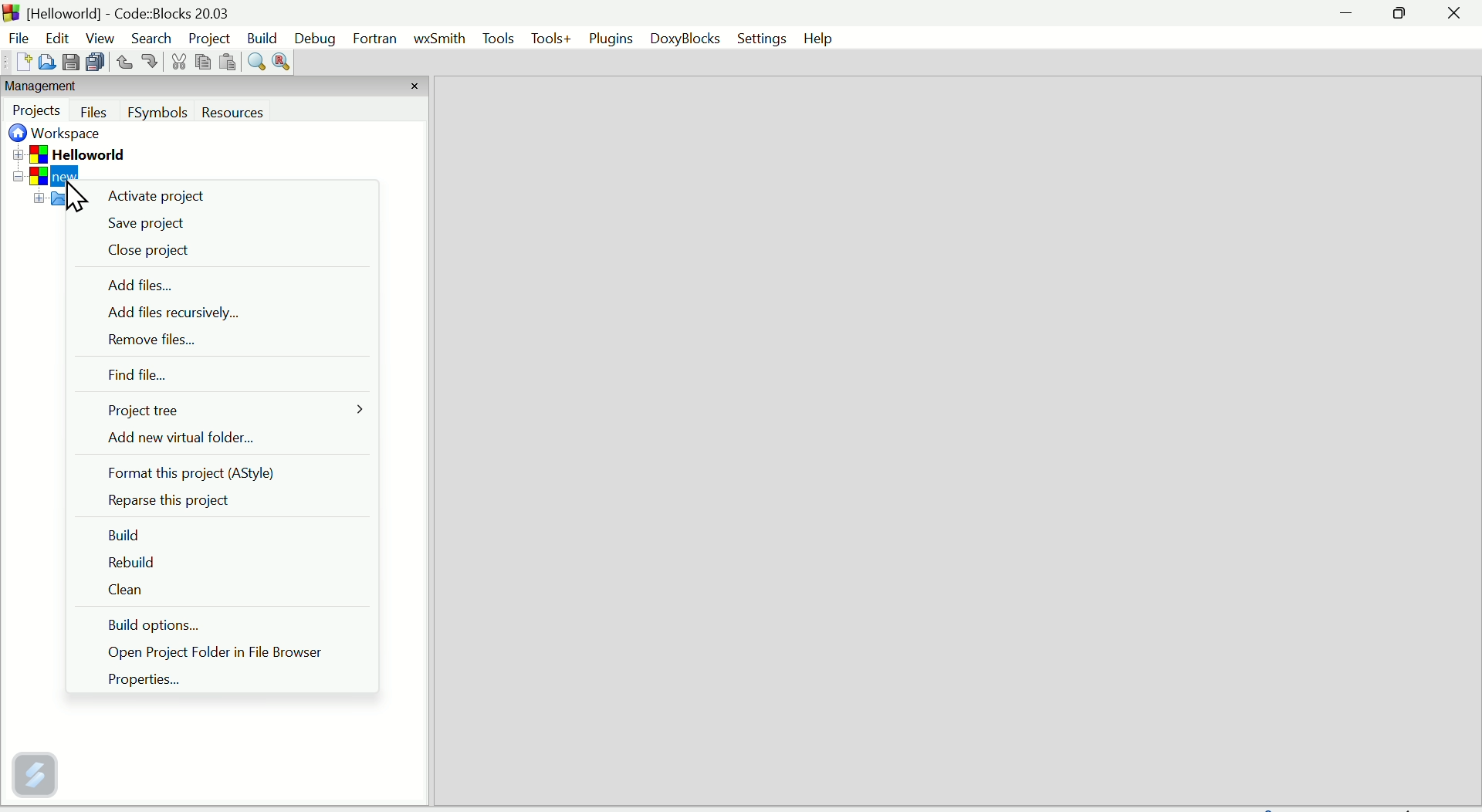 The image size is (1482, 812). Describe the element at coordinates (185, 313) in the screenshot. I see `Add files recursively` at that location.